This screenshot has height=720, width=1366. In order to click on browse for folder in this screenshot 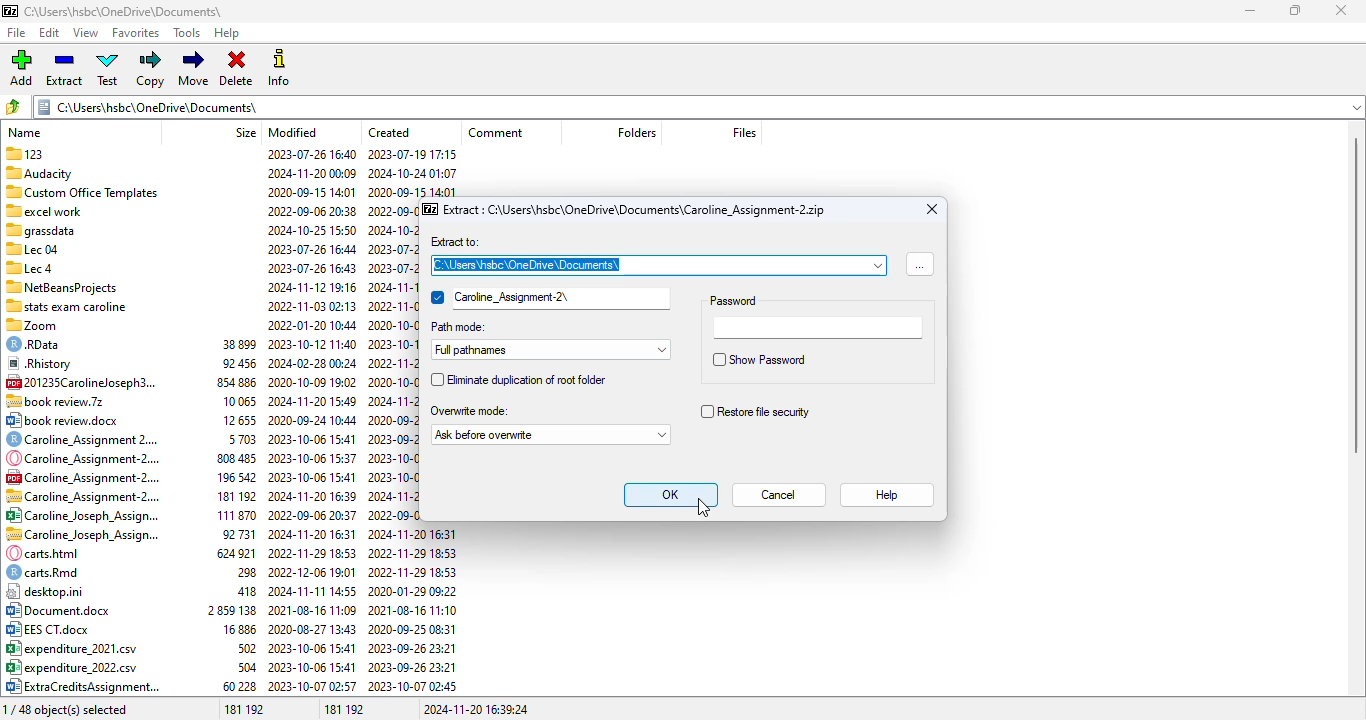, I will do `click(919, 263)`.